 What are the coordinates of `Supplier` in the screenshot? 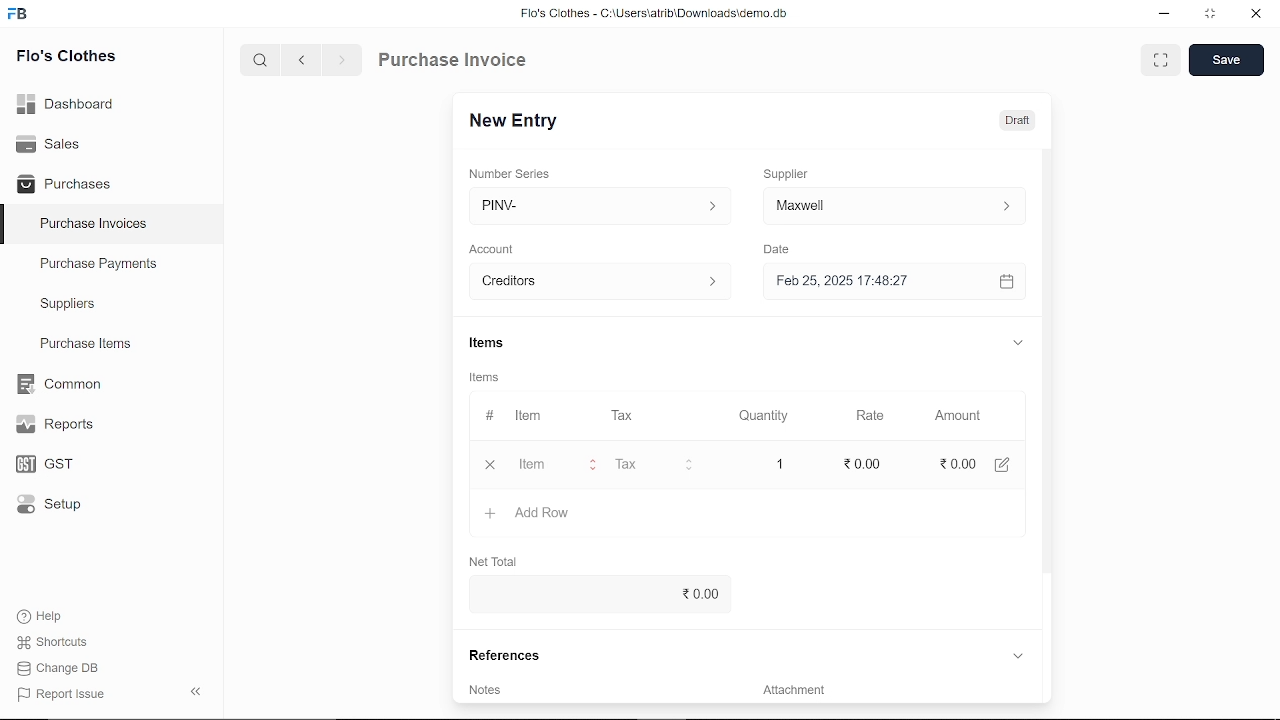 It's located at (797, 172).